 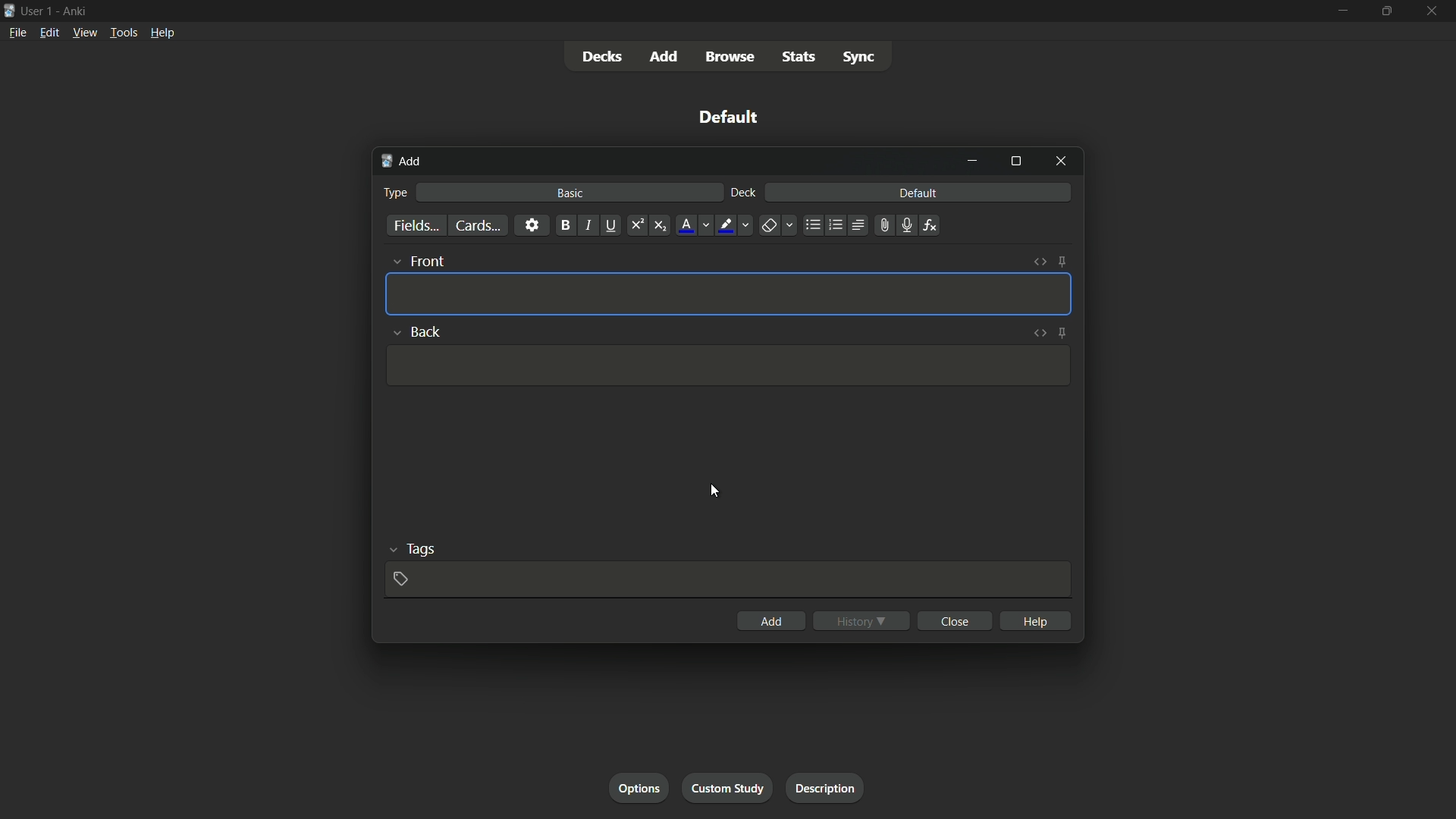 What do you see at coordinates (416, 330) in the screenshot?
I see `back` at bounding box center [416, 330].